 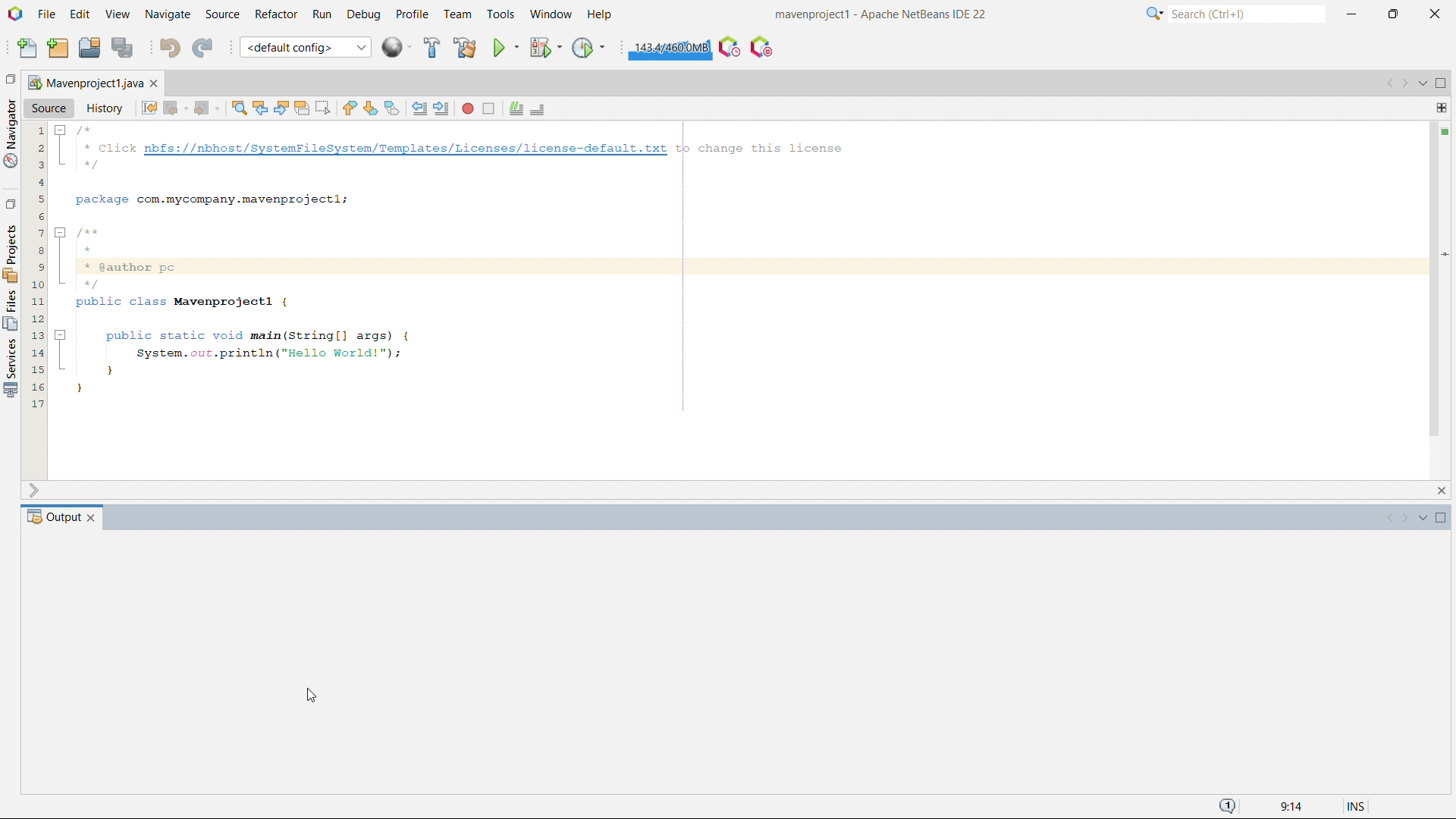 What do you see at coordinates (277, 14) in the screenshot?
I see `refactor` at bounding box center [277, 14].